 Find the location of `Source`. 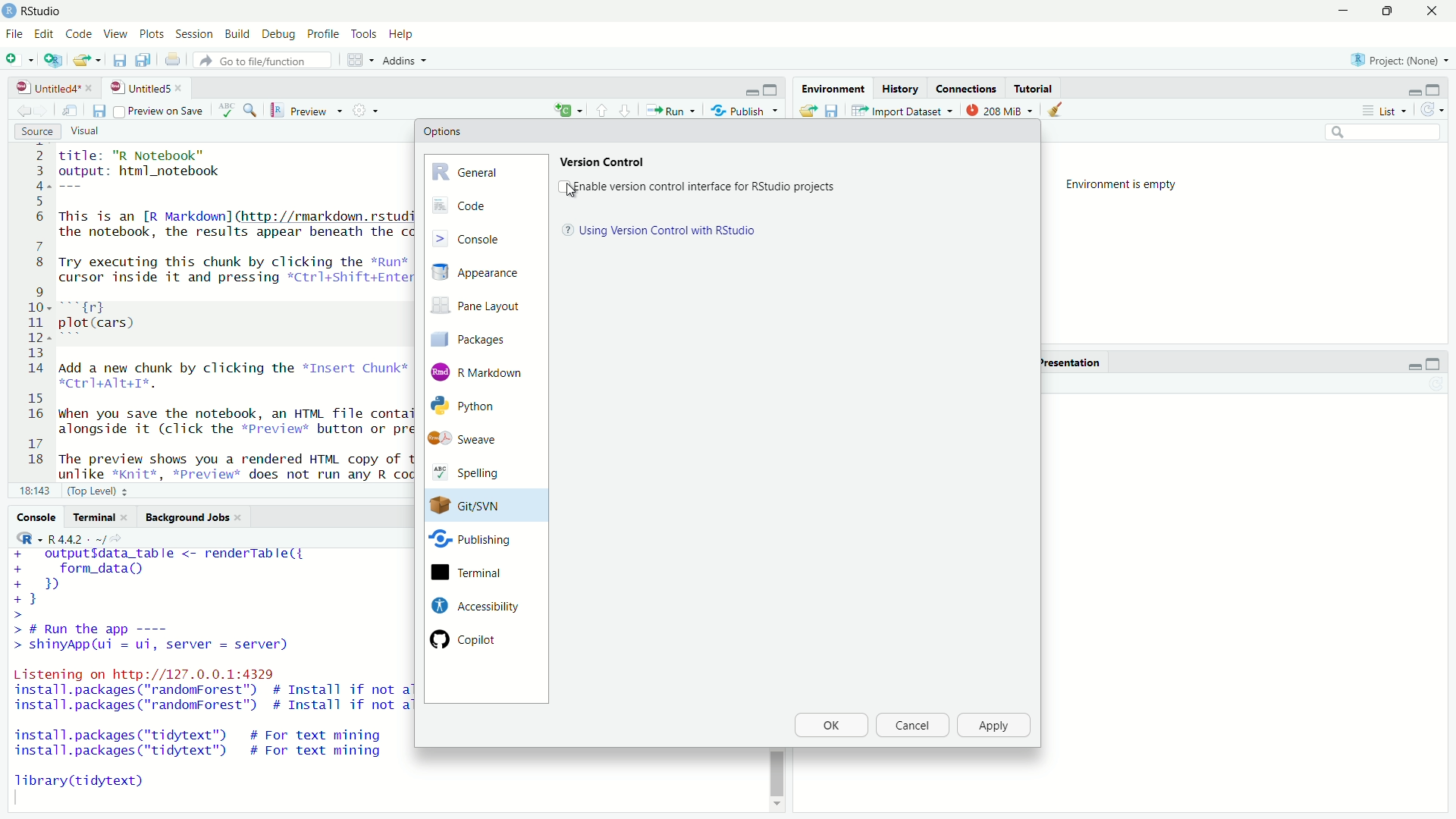

Source is located at coordinates (38, 132).